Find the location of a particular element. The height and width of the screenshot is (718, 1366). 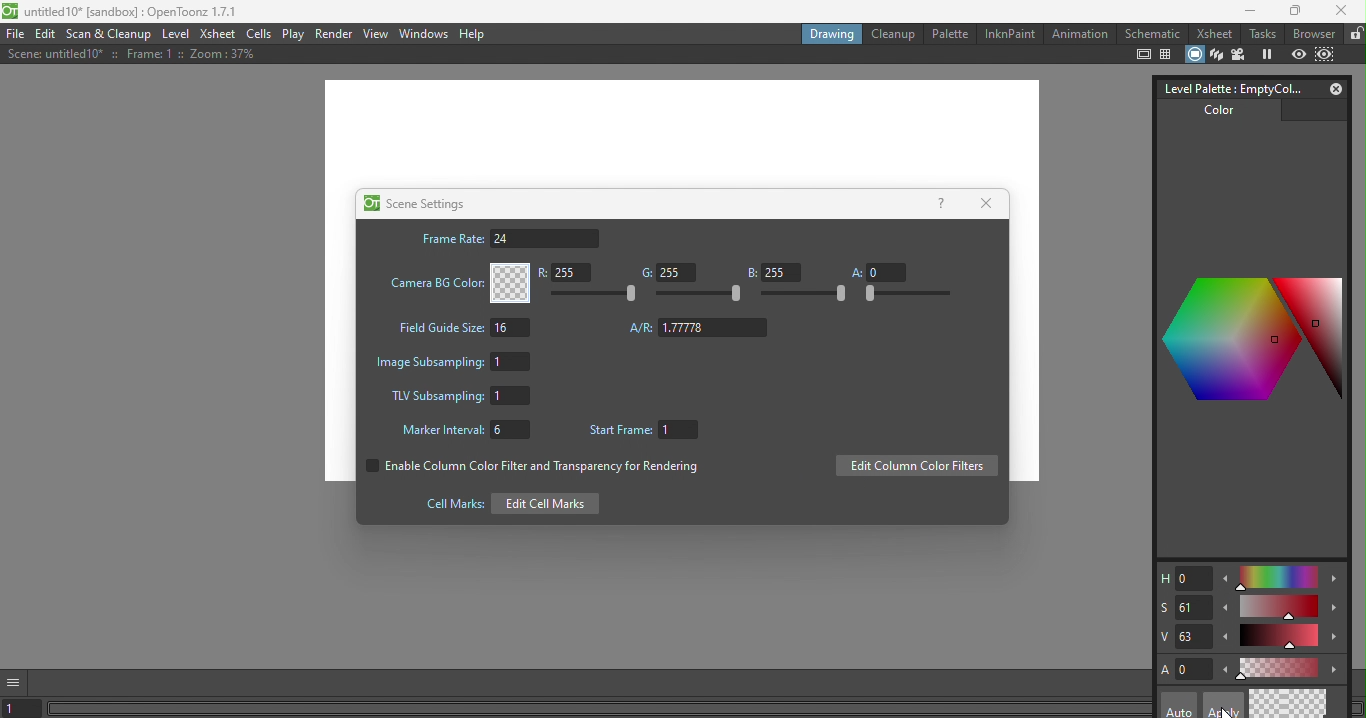

Safe area is located at coordinates (1142, 55).